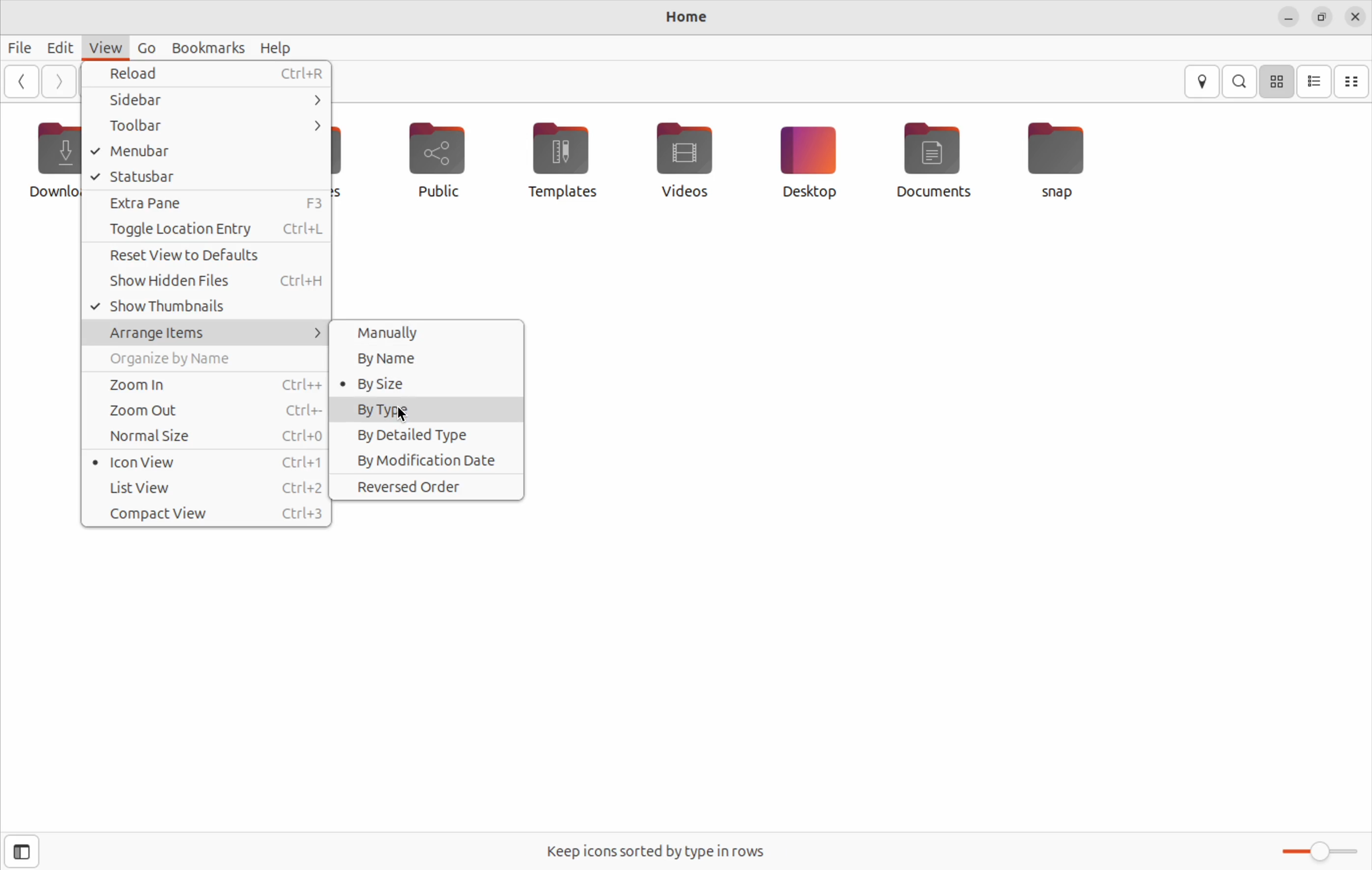 The image size is (1372, 870). I want to click on by size, so click(418, 383).